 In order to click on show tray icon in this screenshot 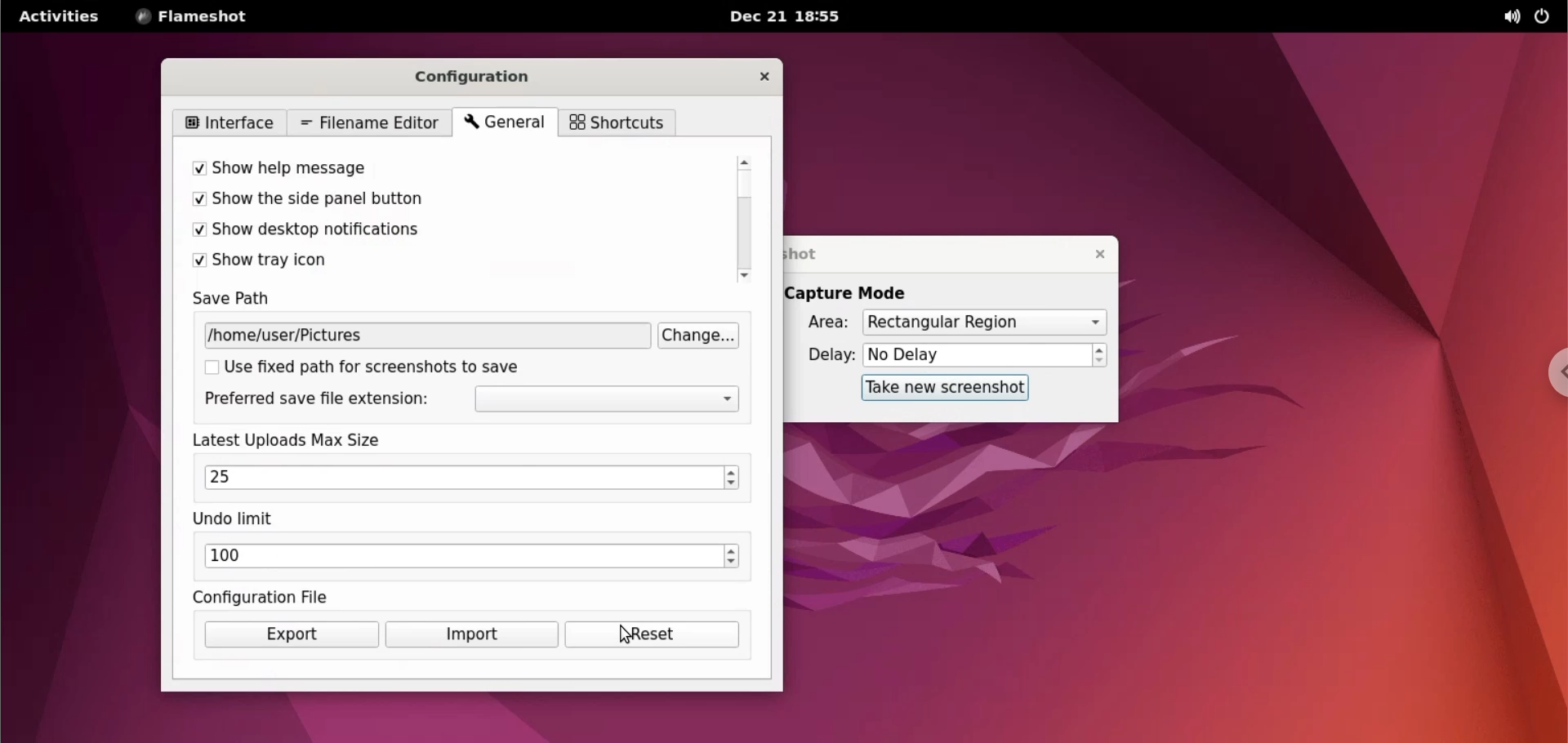, I will do `click(405, 263)`.